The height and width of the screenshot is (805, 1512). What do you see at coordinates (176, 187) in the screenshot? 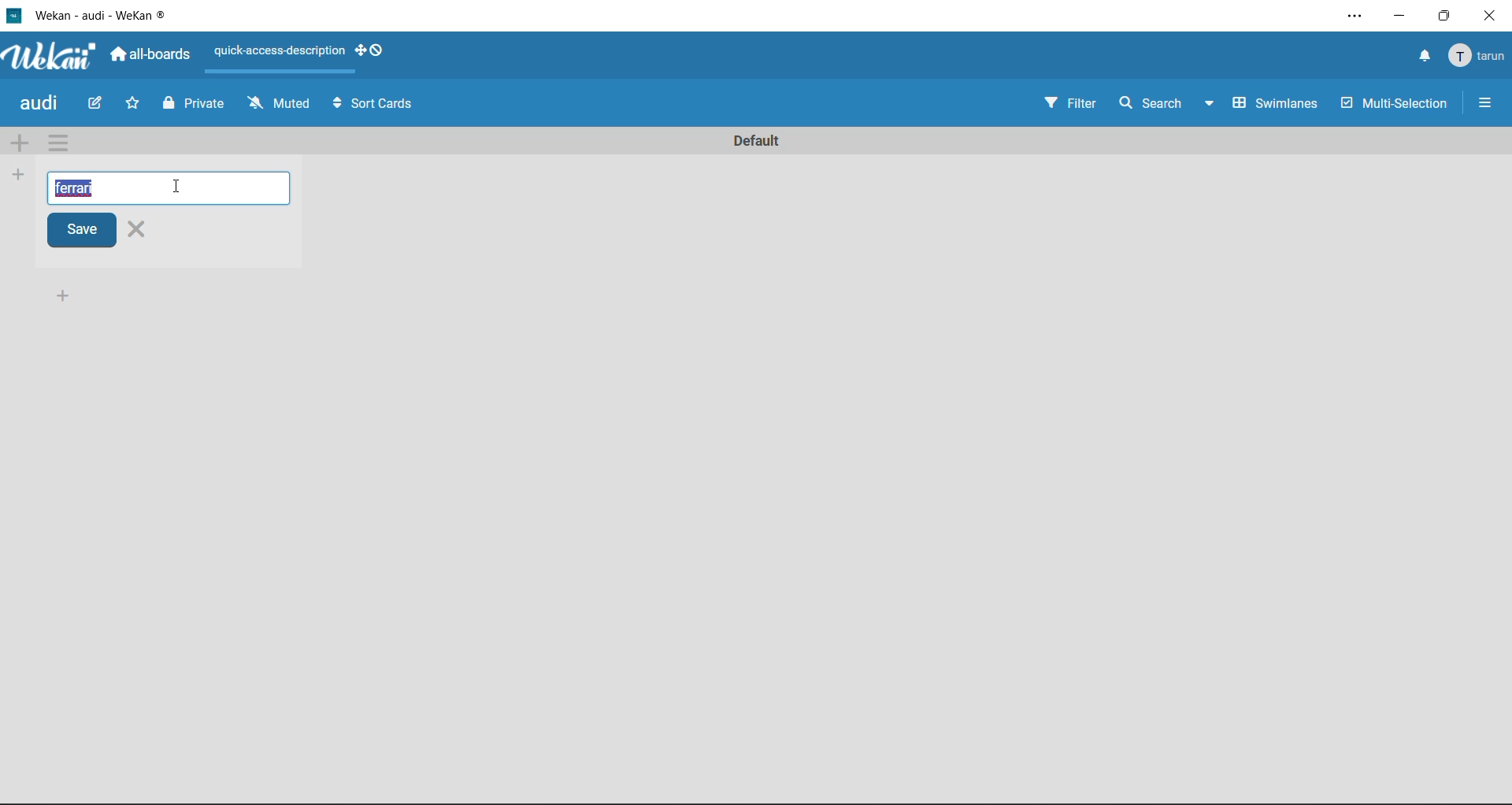
I see `Cursor` at bounding box center [176, 187].